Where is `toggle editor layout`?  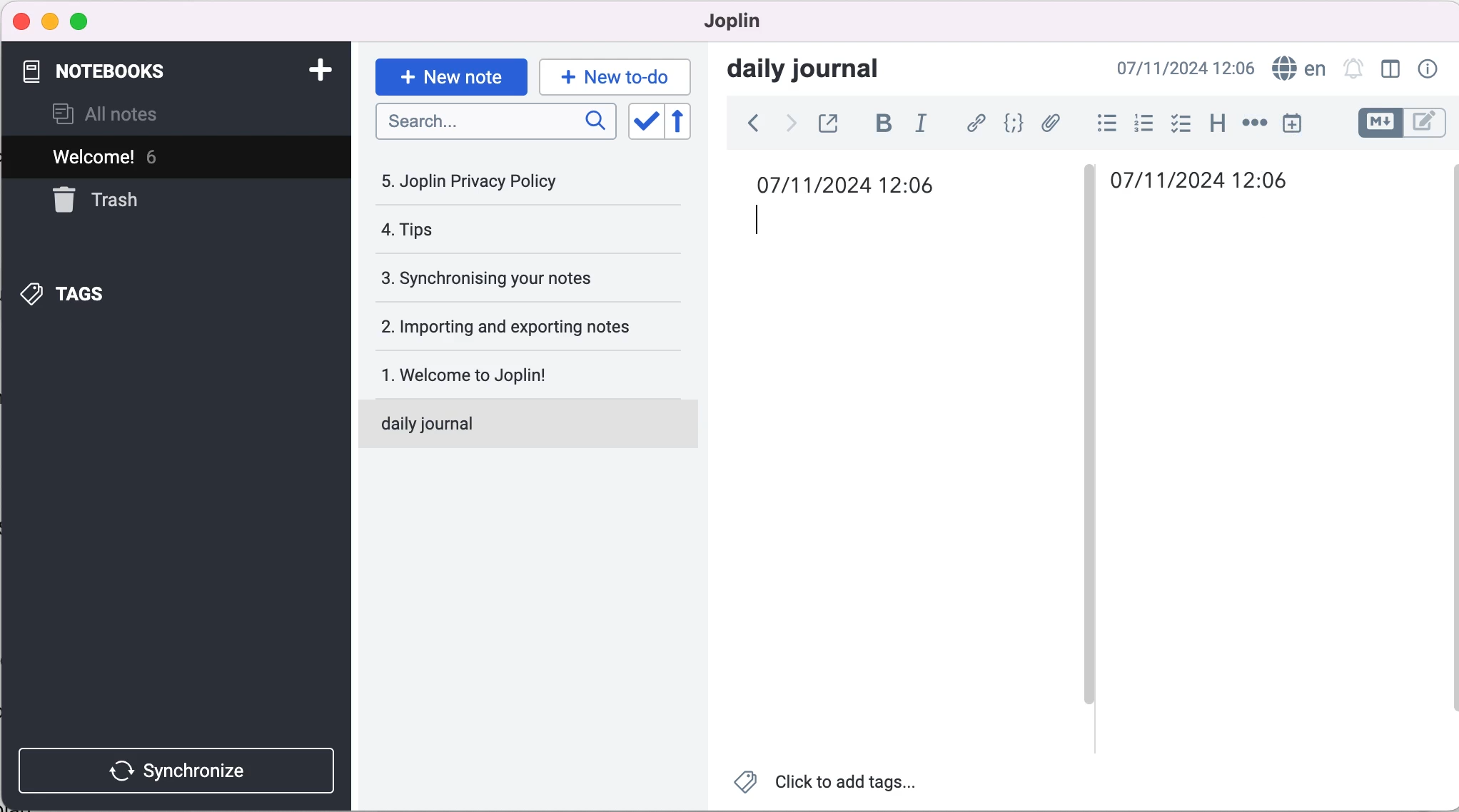
toggle editor layout is located at coordinates (1390, 69).